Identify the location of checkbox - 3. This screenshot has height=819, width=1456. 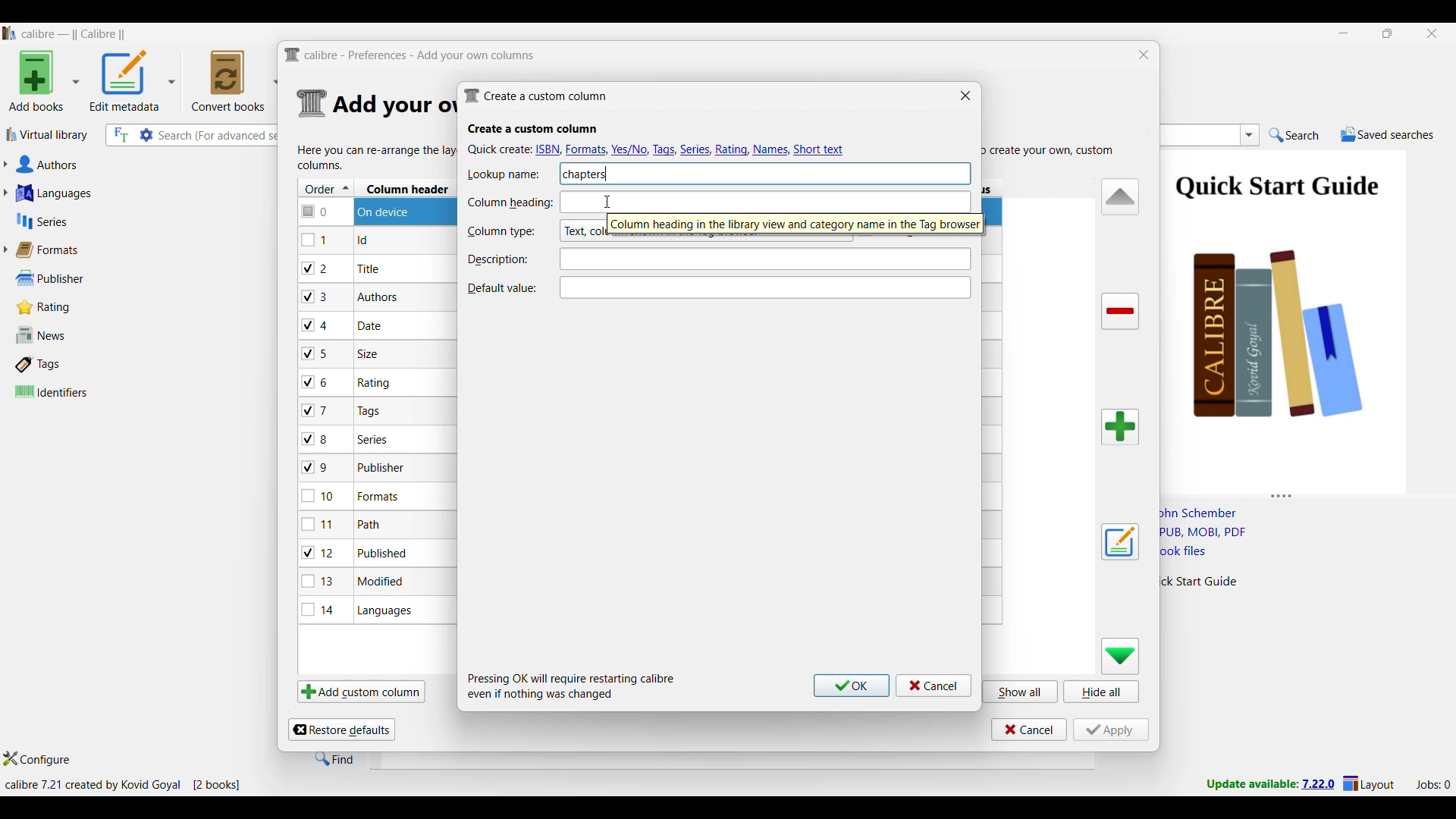
(316, 297).